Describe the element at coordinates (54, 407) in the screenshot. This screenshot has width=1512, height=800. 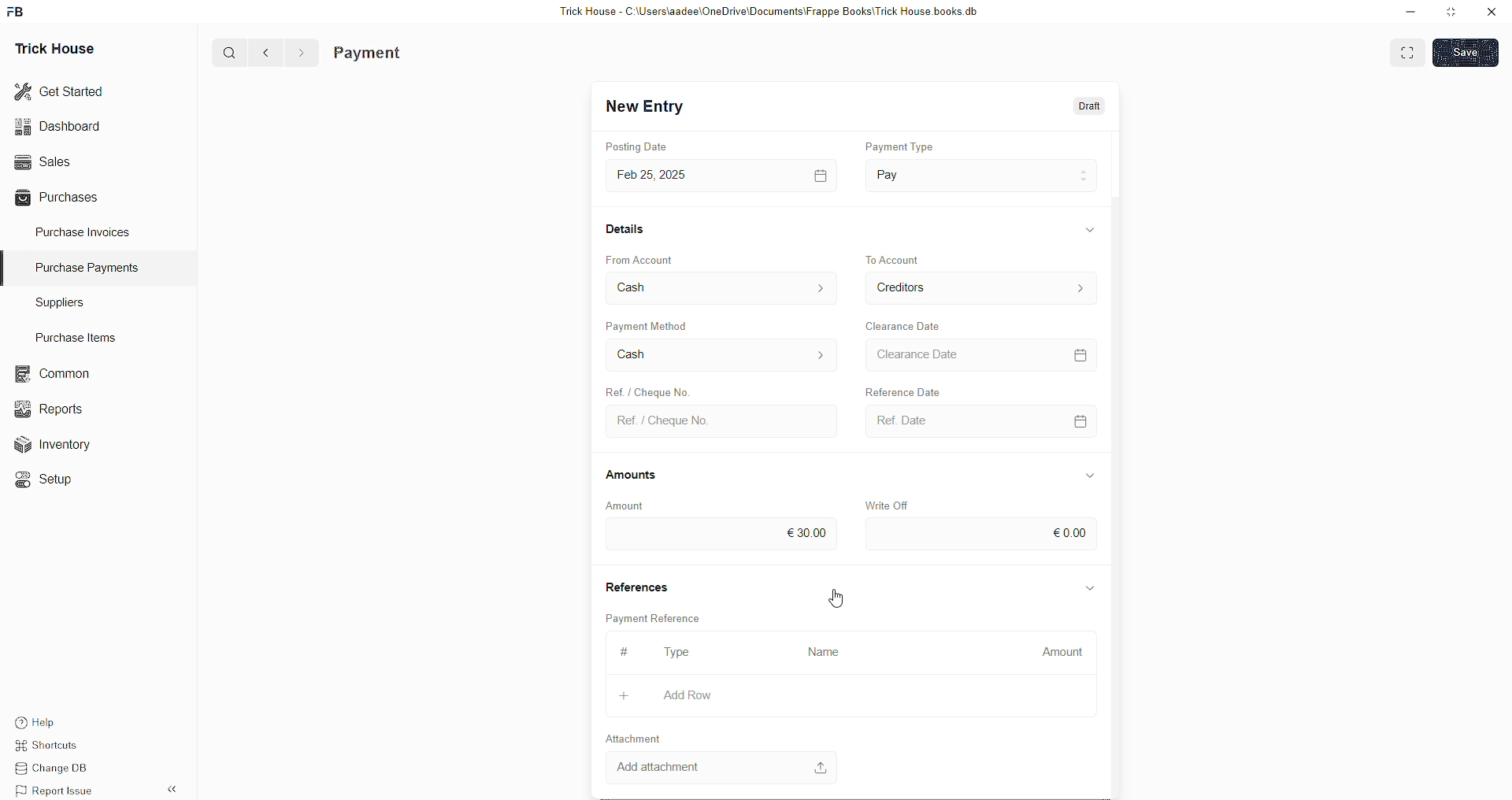
I see `Reports` at that location.